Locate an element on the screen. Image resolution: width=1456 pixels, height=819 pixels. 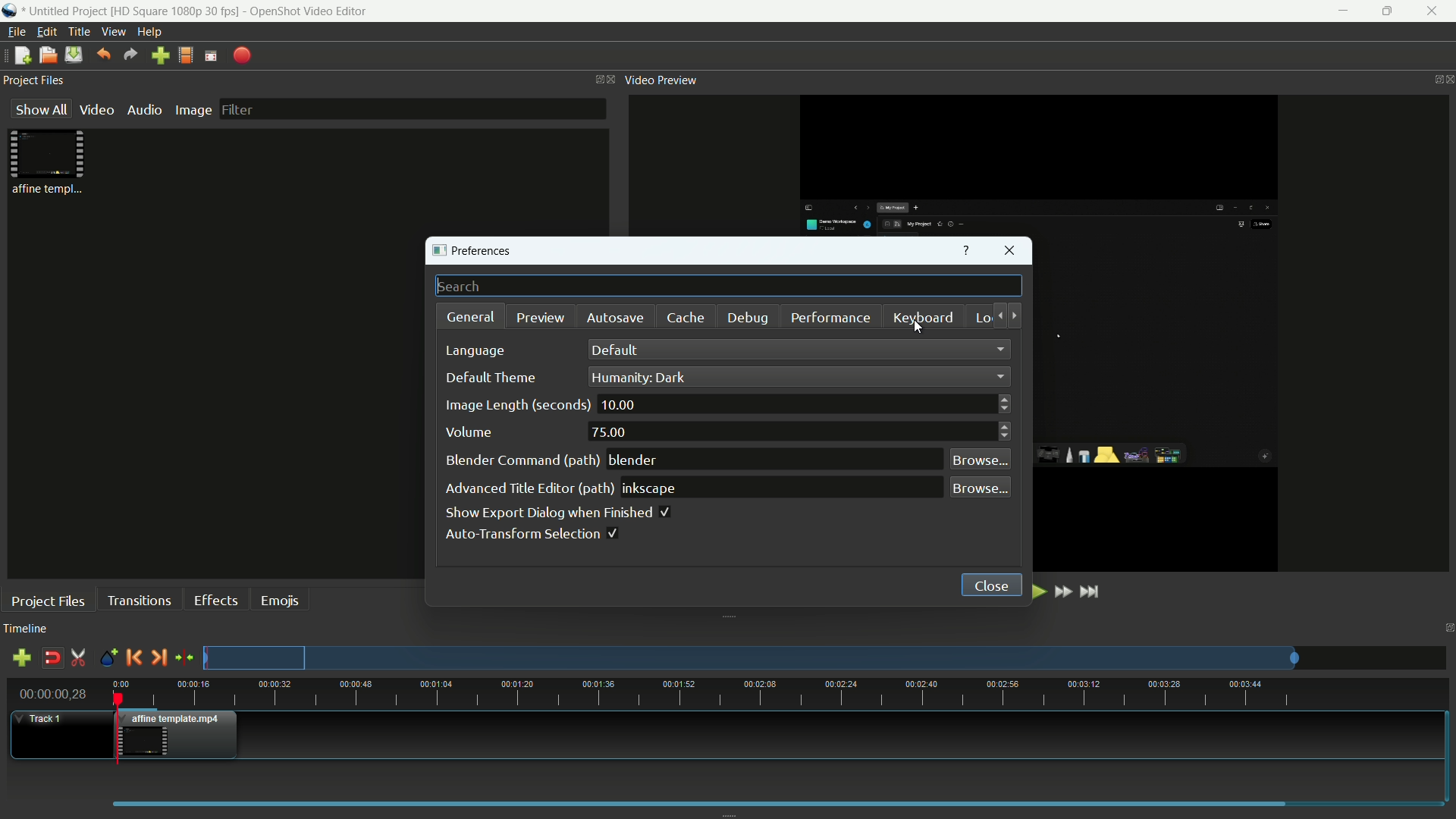
blender is located at coordinates (631, 459).